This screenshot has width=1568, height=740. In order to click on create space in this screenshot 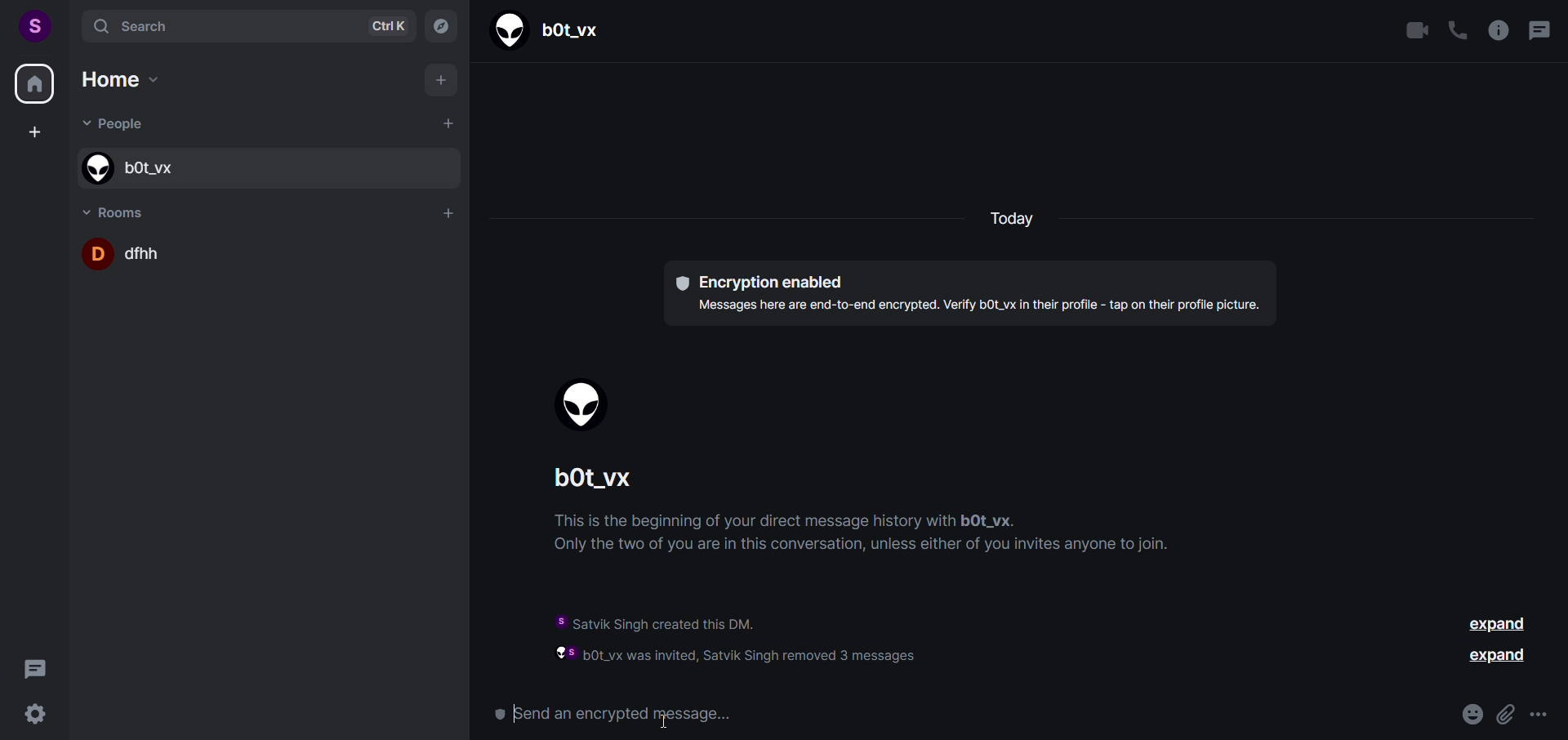, I will do `click(33, 133)`.